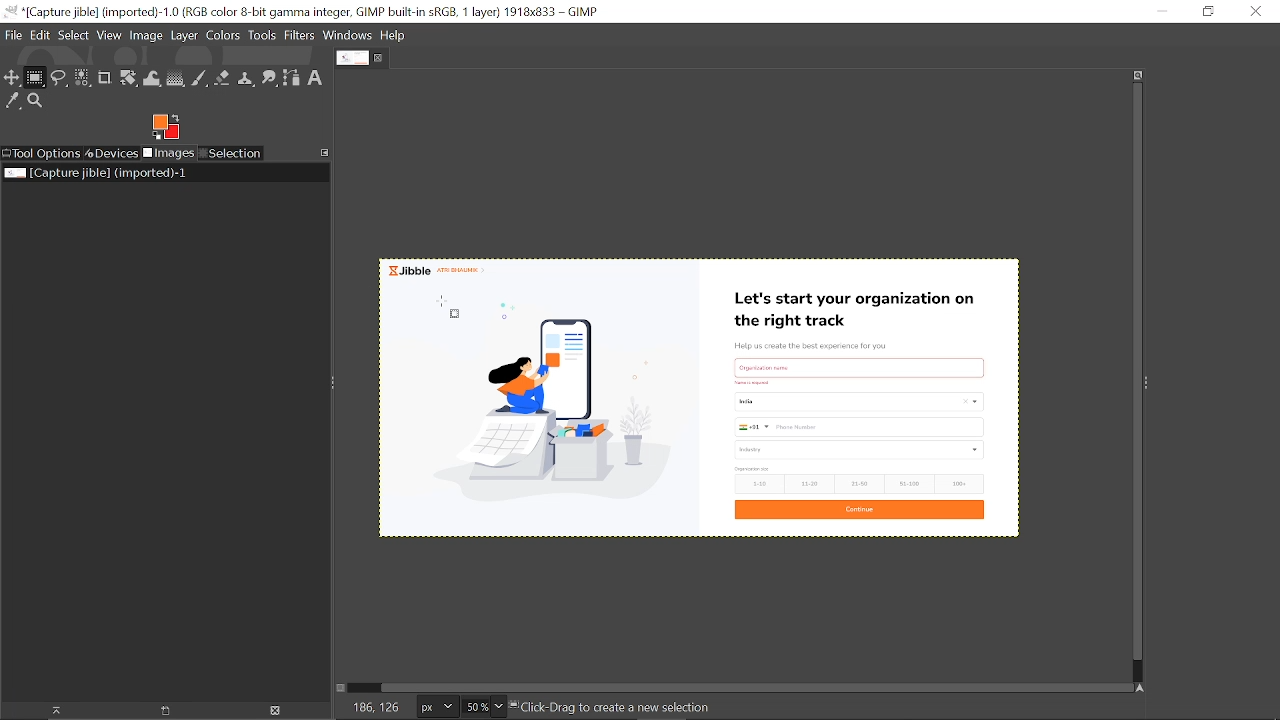  What do you see at coordinates (857, 404) in the screenshot?
I see `Country` at bounding box center [857, 404].